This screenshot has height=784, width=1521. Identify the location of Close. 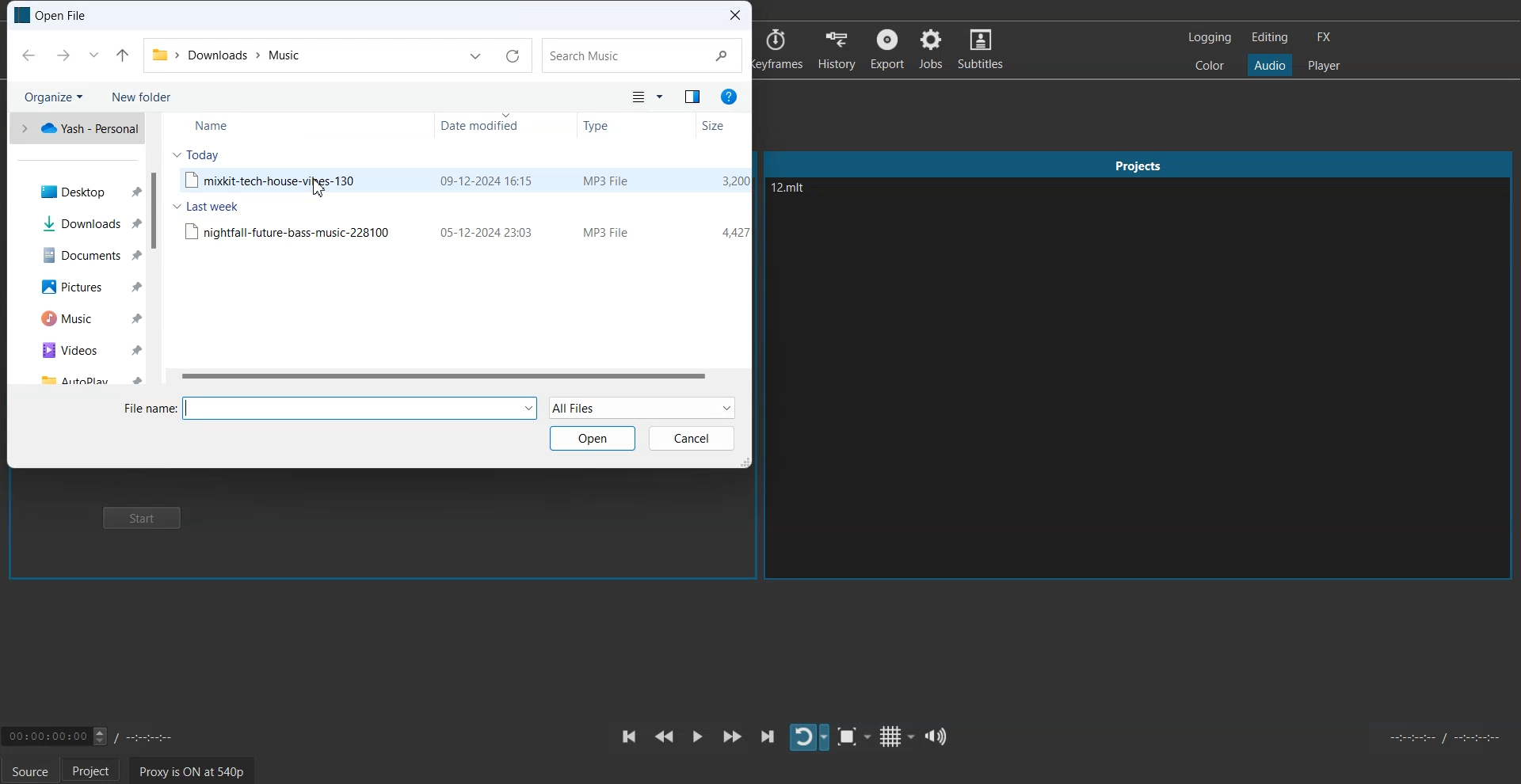
(735, 14).